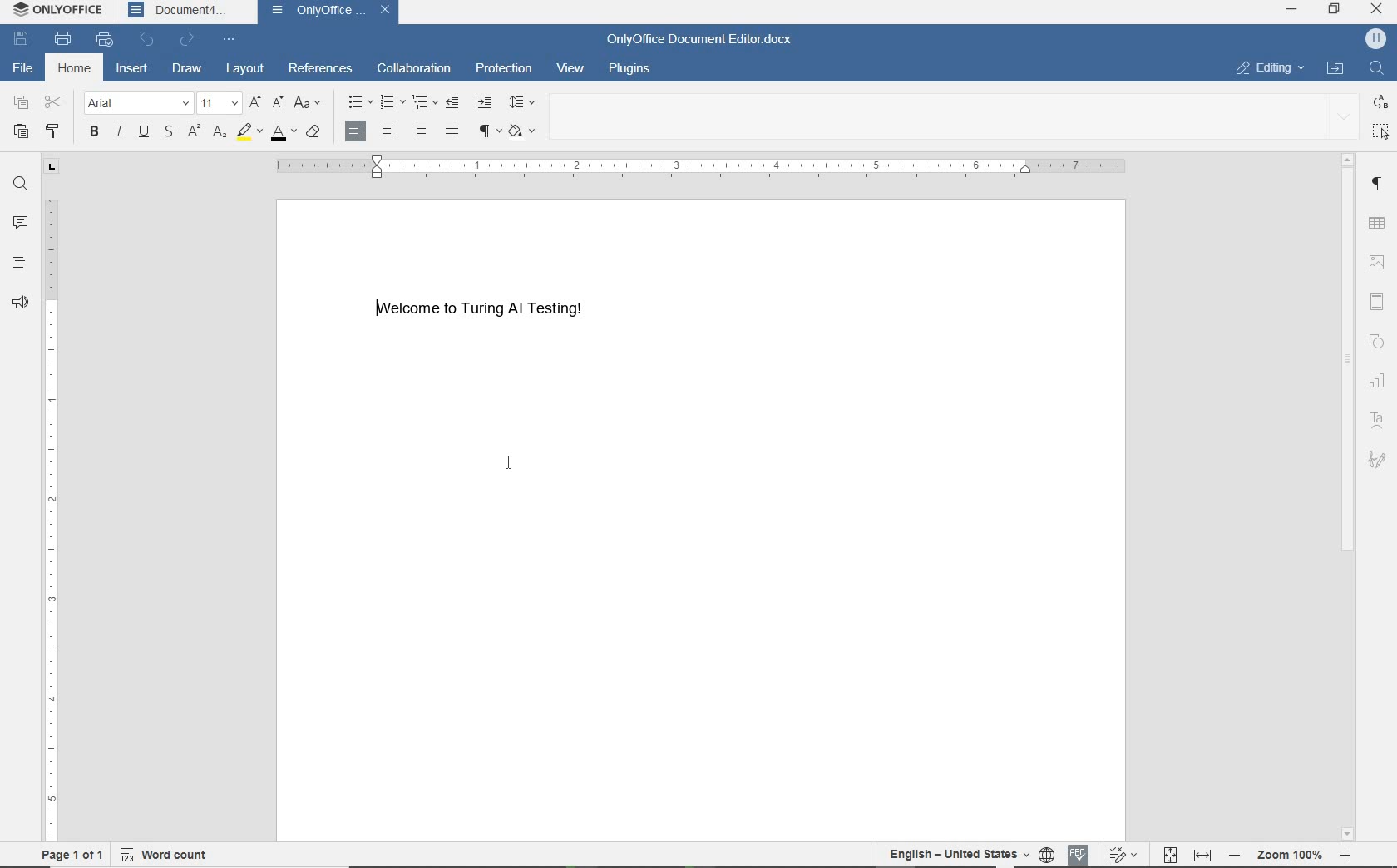 The image size is (1397, 868). I want to click on subscript, so click(222, 134).